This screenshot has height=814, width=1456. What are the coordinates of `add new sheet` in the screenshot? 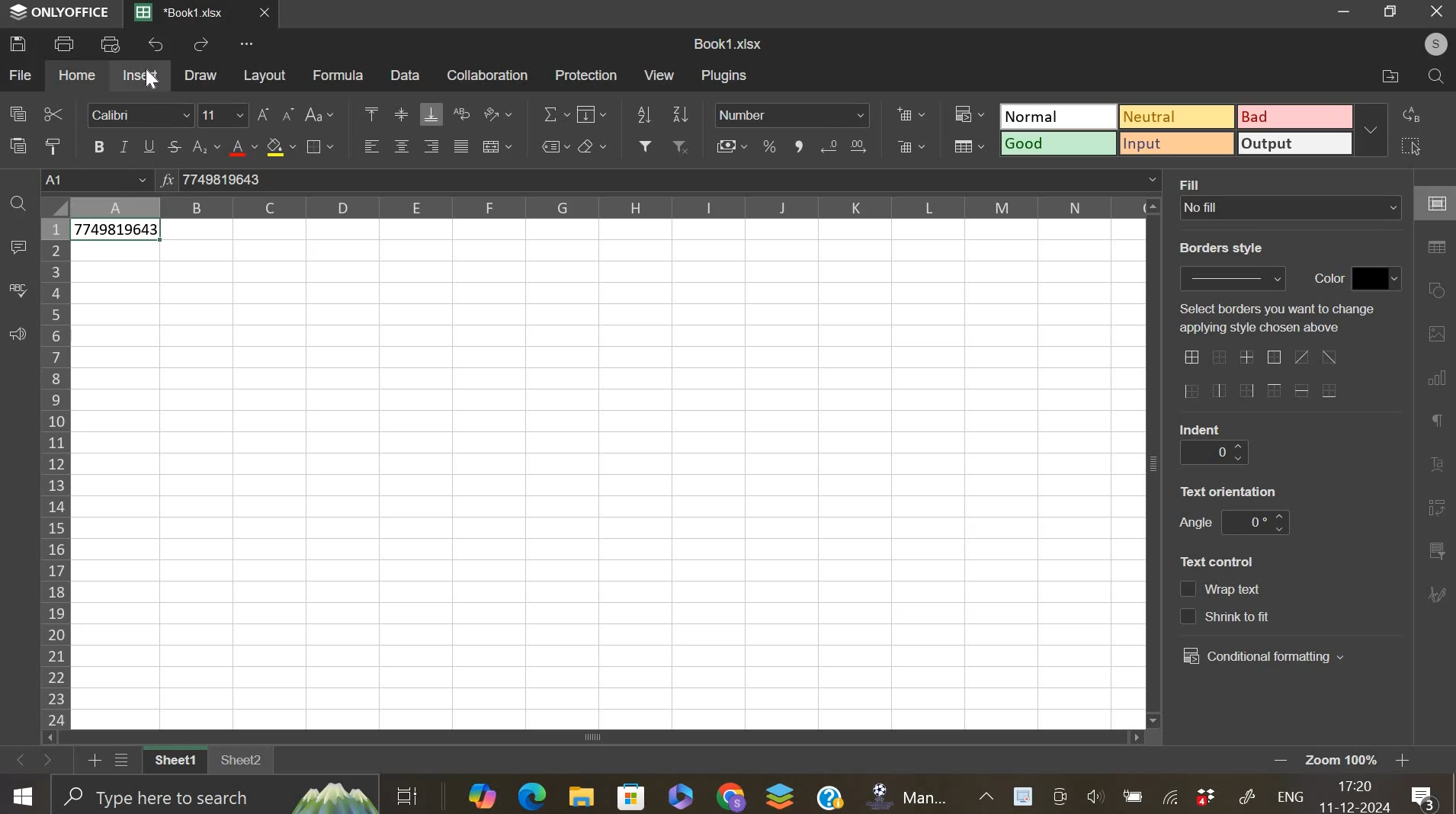 It's located at (93, 758).